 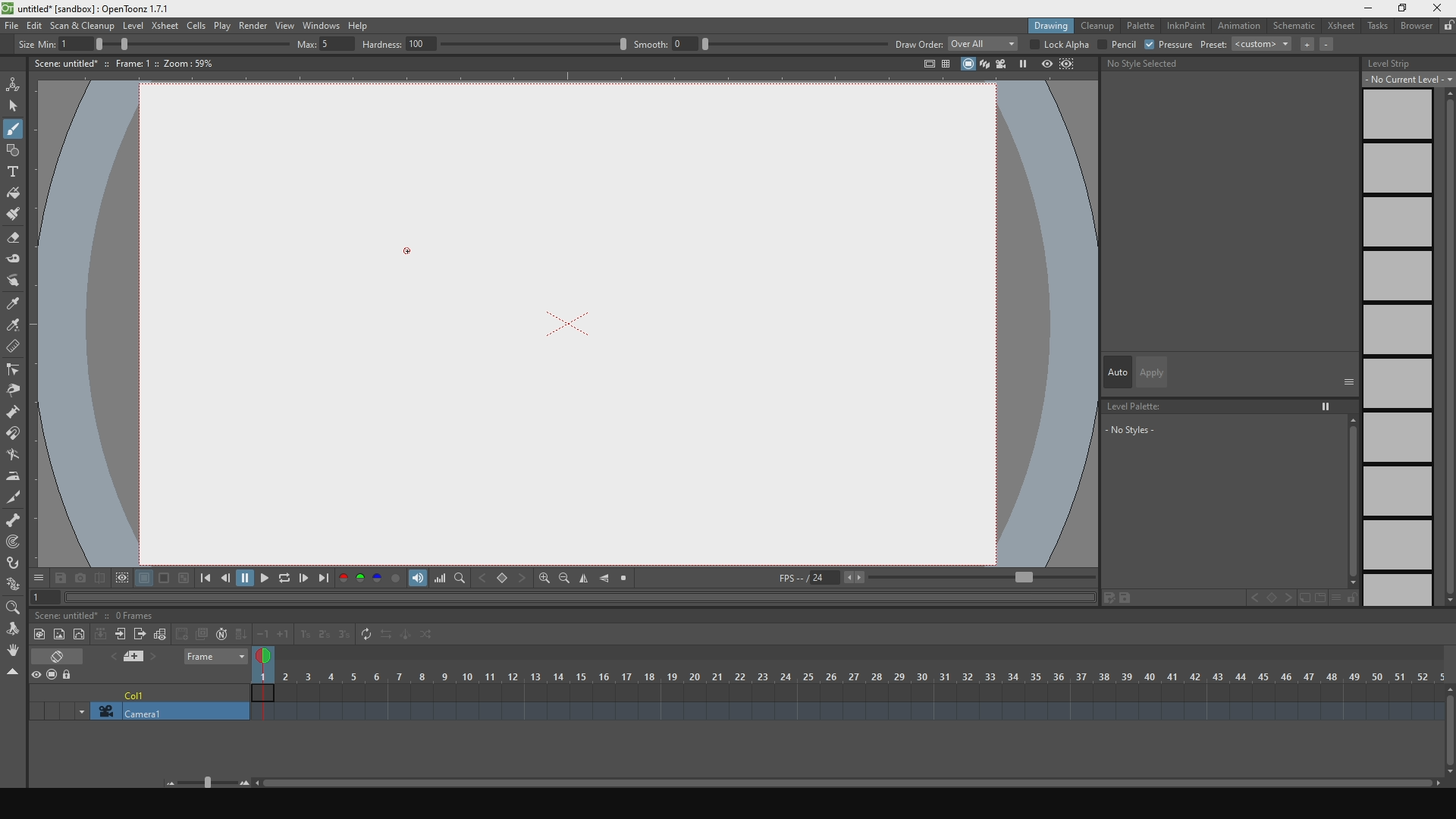 I want to click on auto, so click(x=1116, y=372).